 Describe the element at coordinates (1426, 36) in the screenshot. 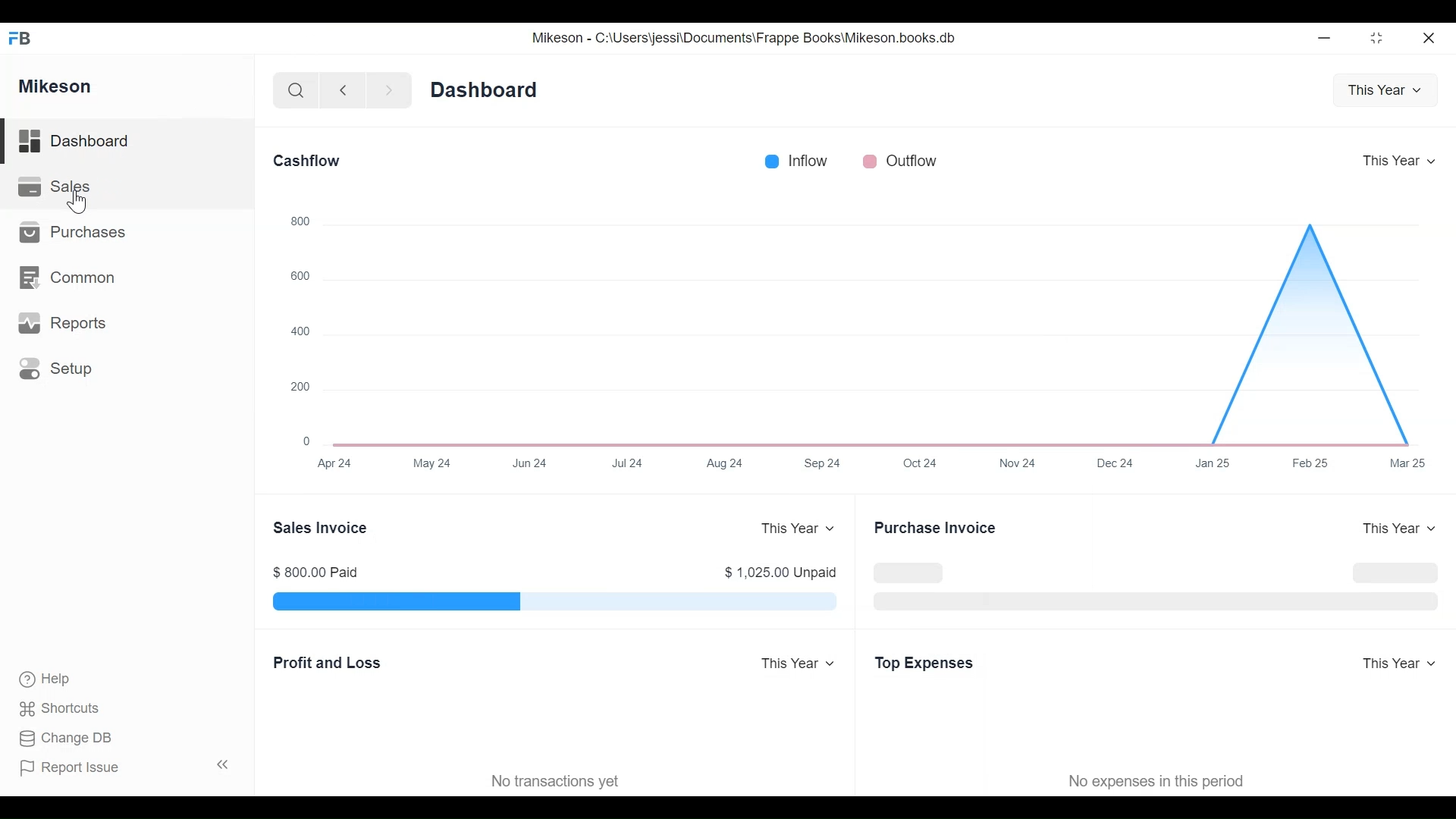

I see `Close` at that location.